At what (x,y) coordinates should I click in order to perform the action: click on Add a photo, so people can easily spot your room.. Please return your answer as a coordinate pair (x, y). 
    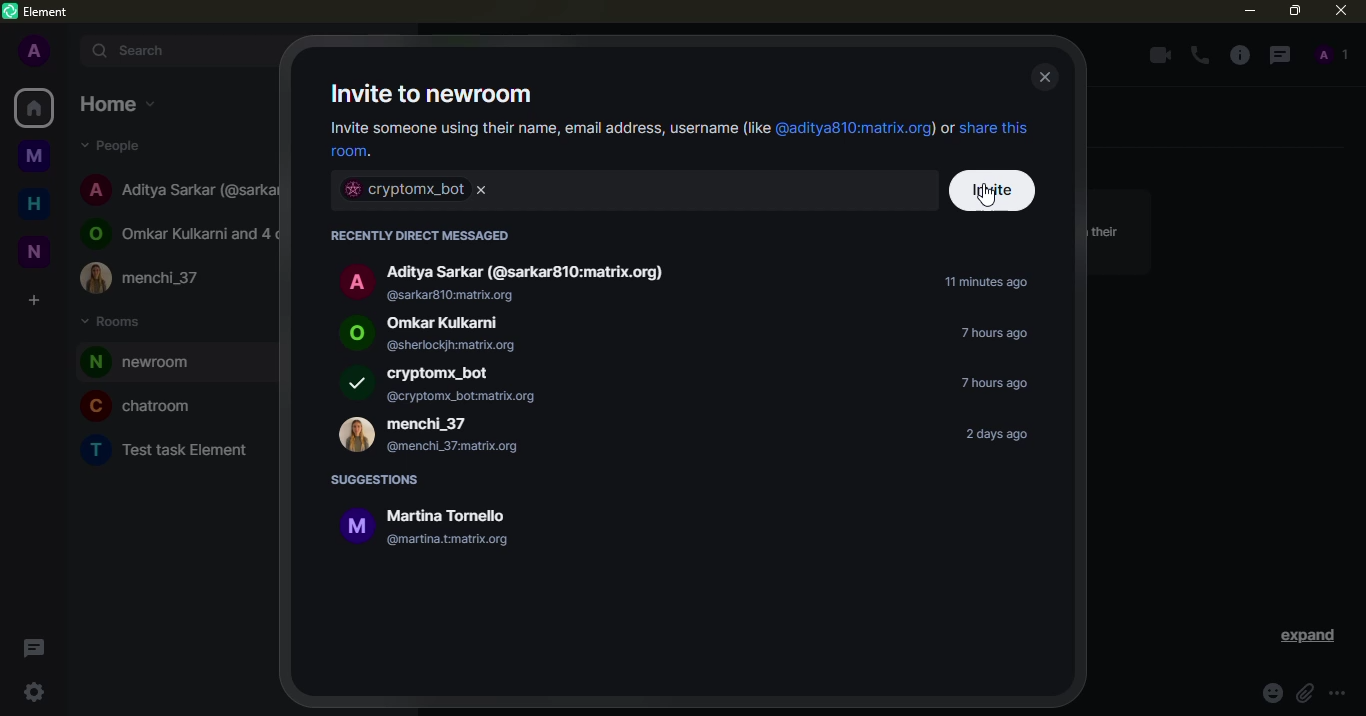
    Looking at the image, I should click on (508, 402).